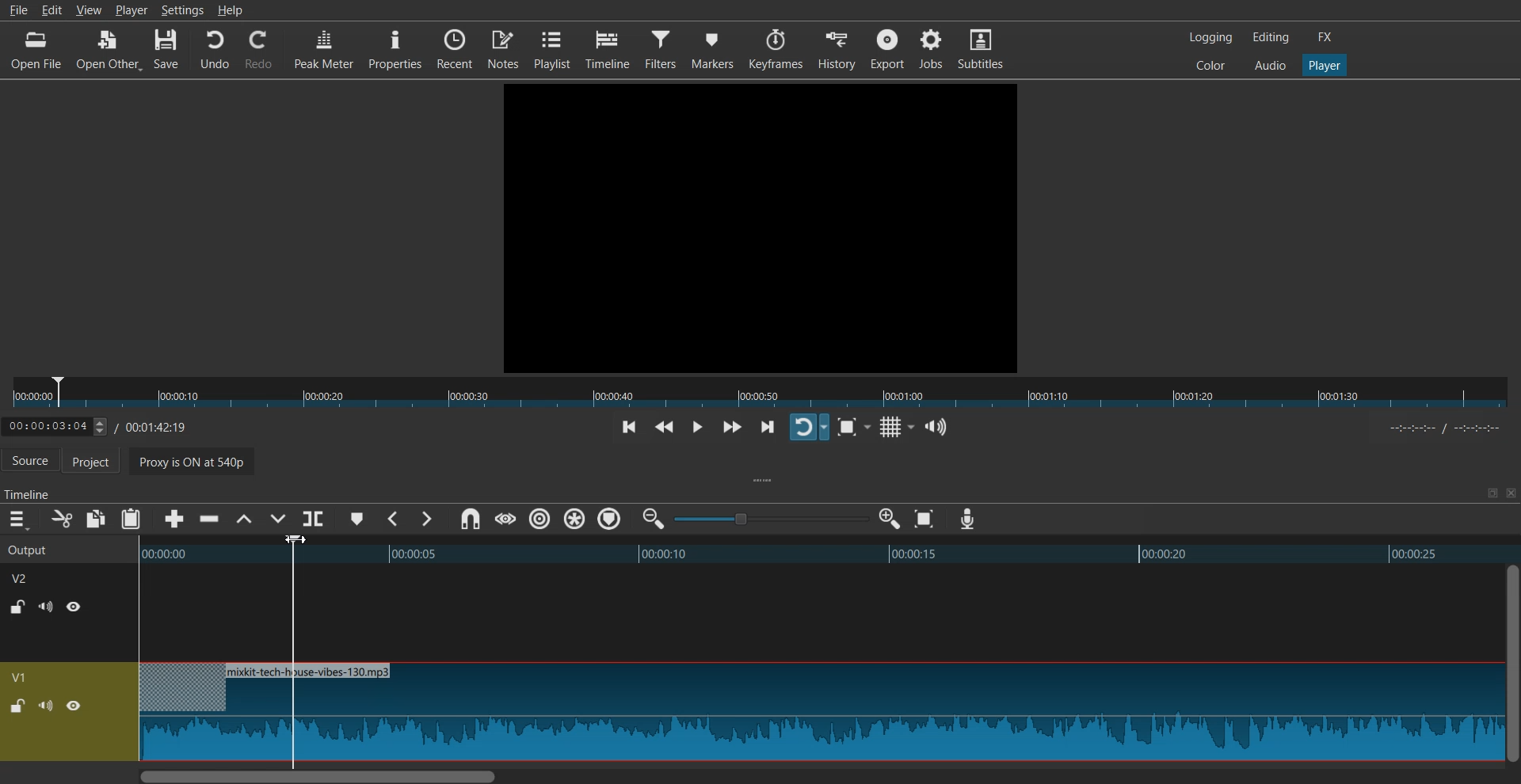 This screenshot has height=784, width=1521. I want to click on Show the volume control, so click(936, 428).